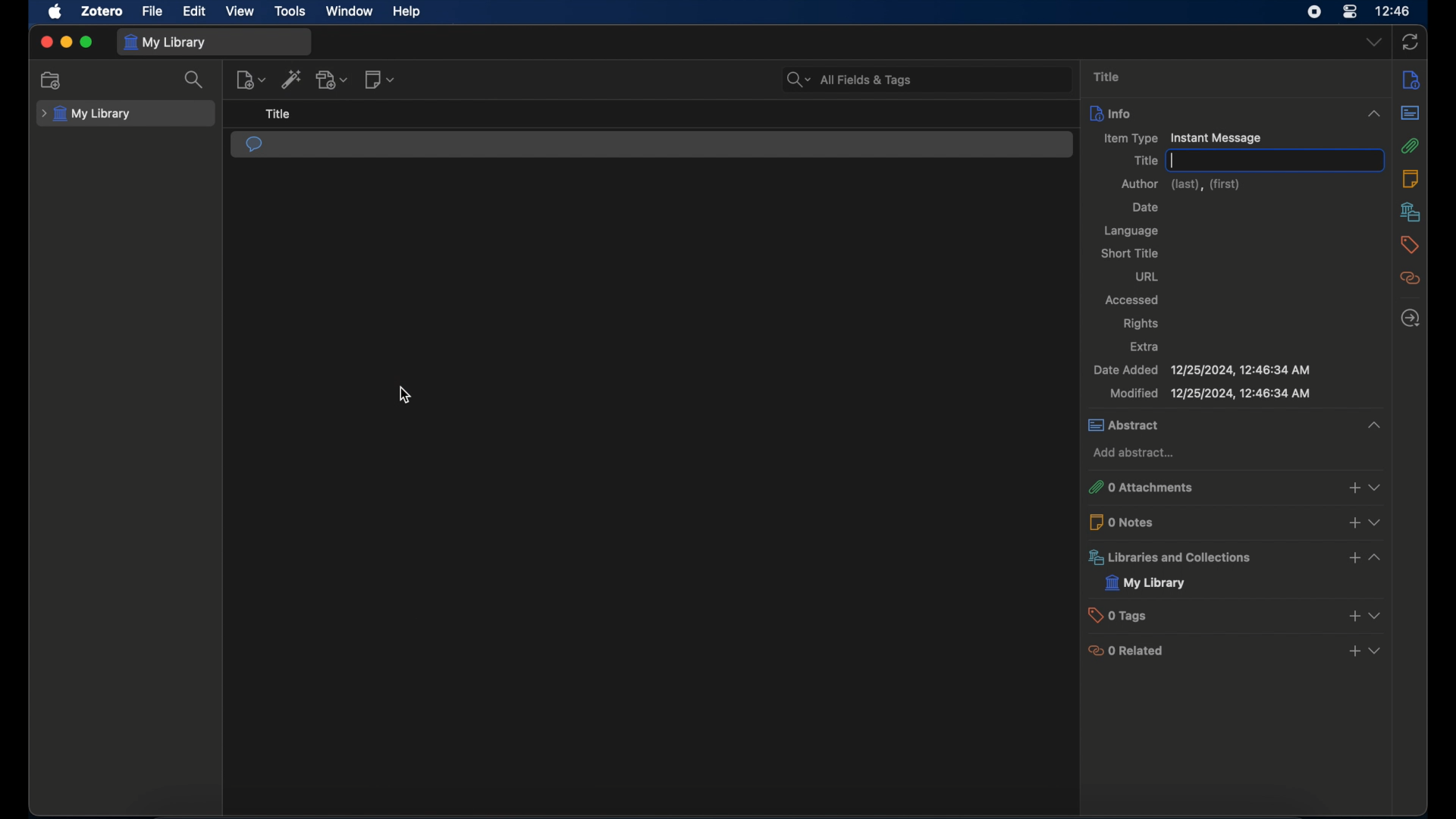  Describe the element at coordinates (86, 114) in the screenshot. I see `my library` at that location.